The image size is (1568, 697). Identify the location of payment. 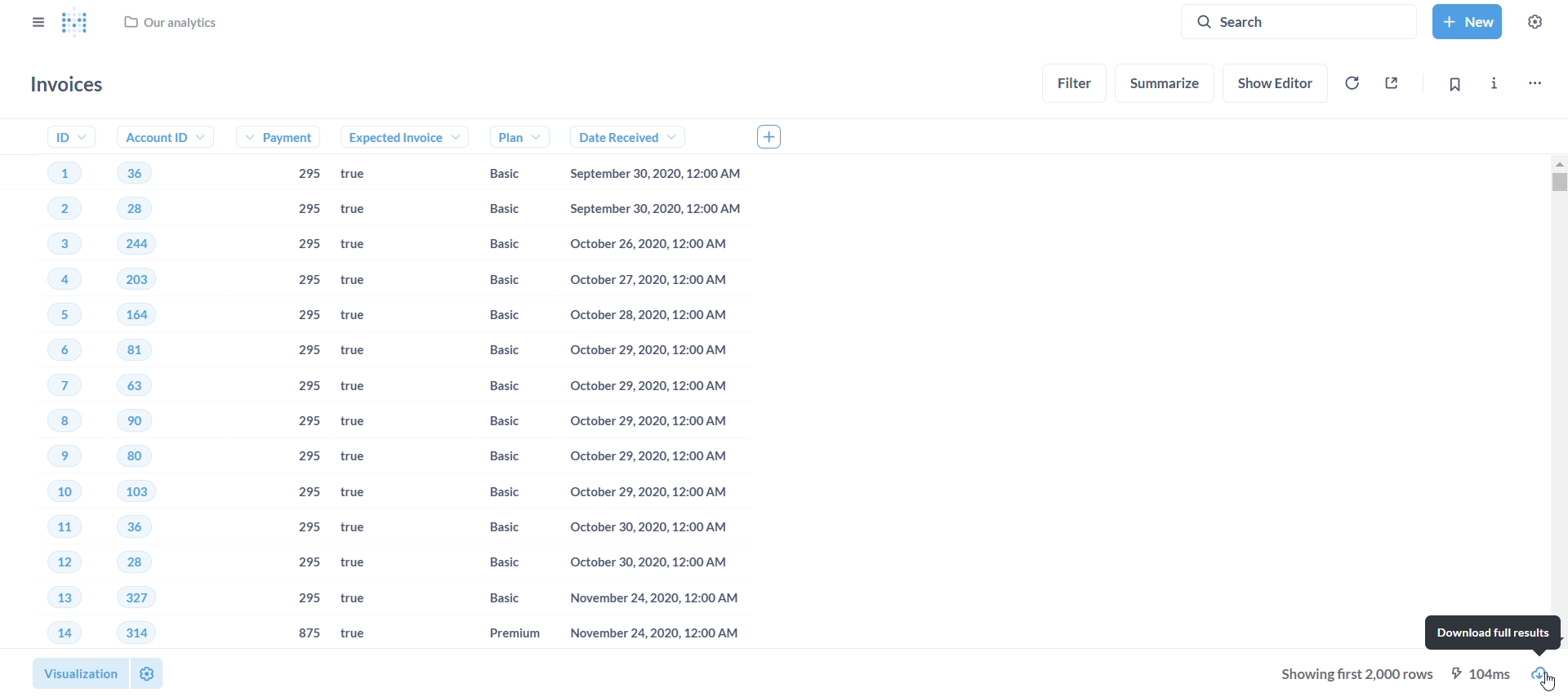
(285, 139).